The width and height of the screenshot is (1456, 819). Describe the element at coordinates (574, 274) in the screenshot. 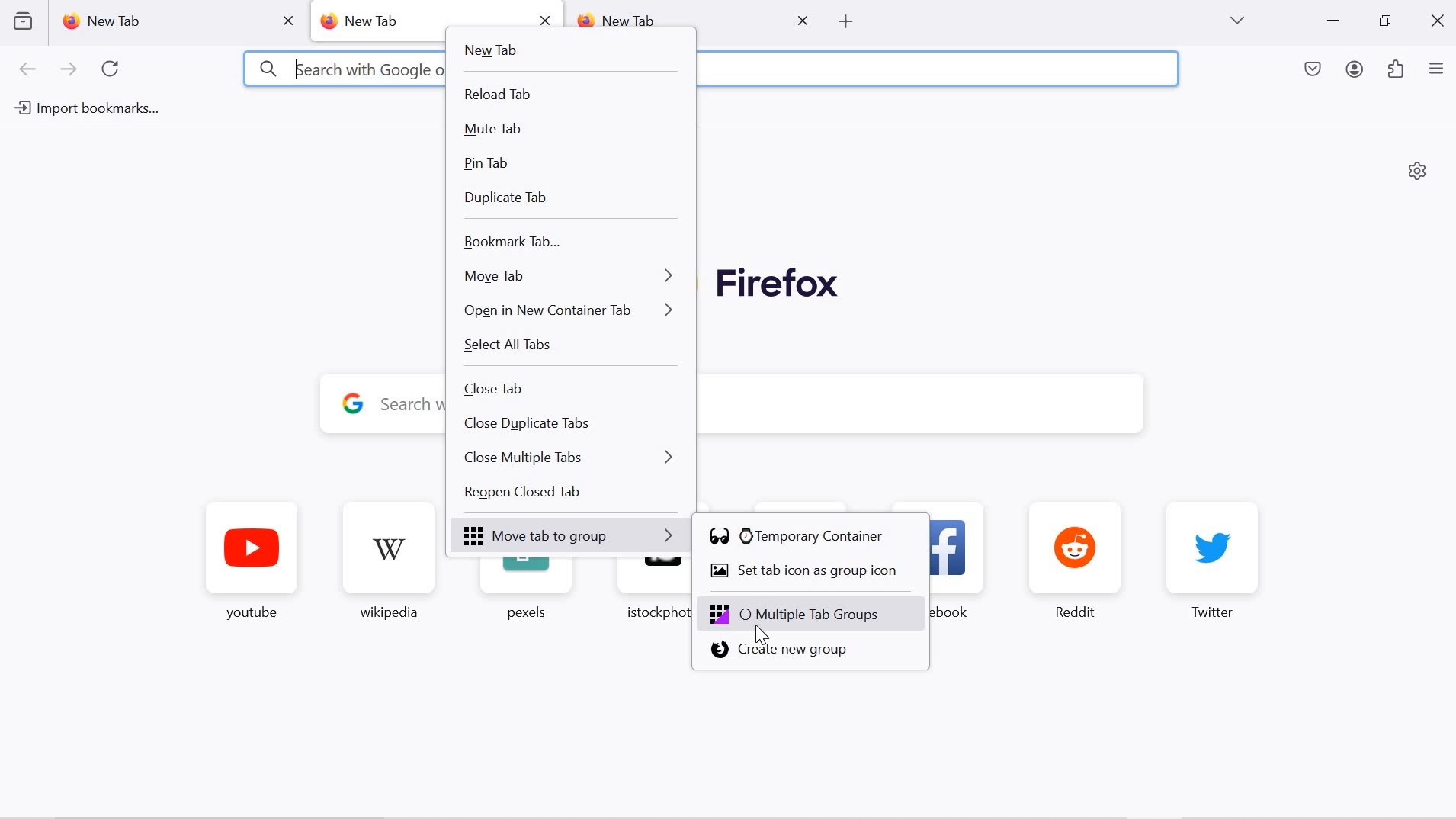

I see `move tab` at that location.